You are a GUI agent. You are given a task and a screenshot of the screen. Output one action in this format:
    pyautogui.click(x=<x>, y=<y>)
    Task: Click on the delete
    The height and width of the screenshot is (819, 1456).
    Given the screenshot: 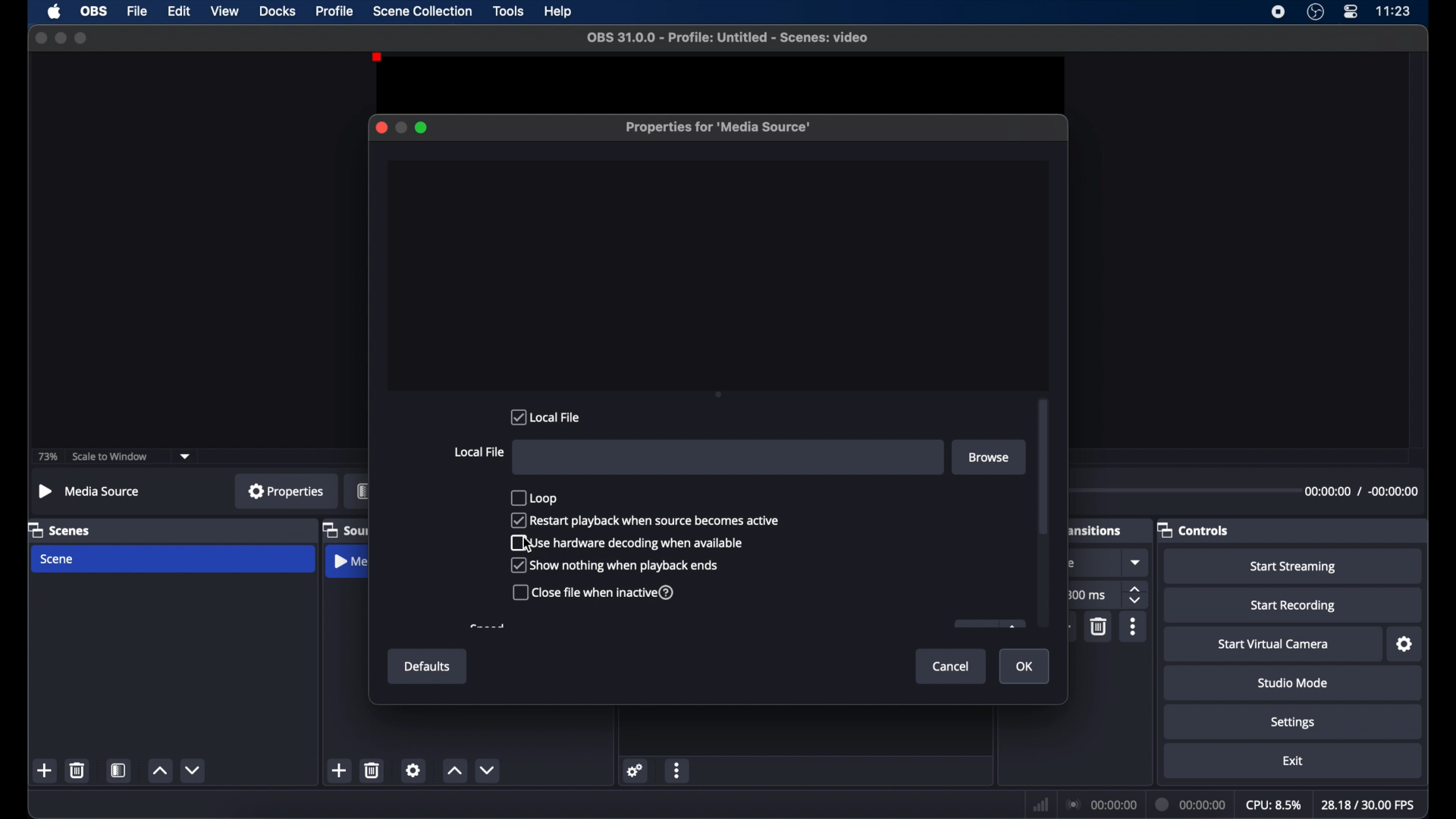 What is the action you would take?
    pyautogui.click(x=77, y=770)
    